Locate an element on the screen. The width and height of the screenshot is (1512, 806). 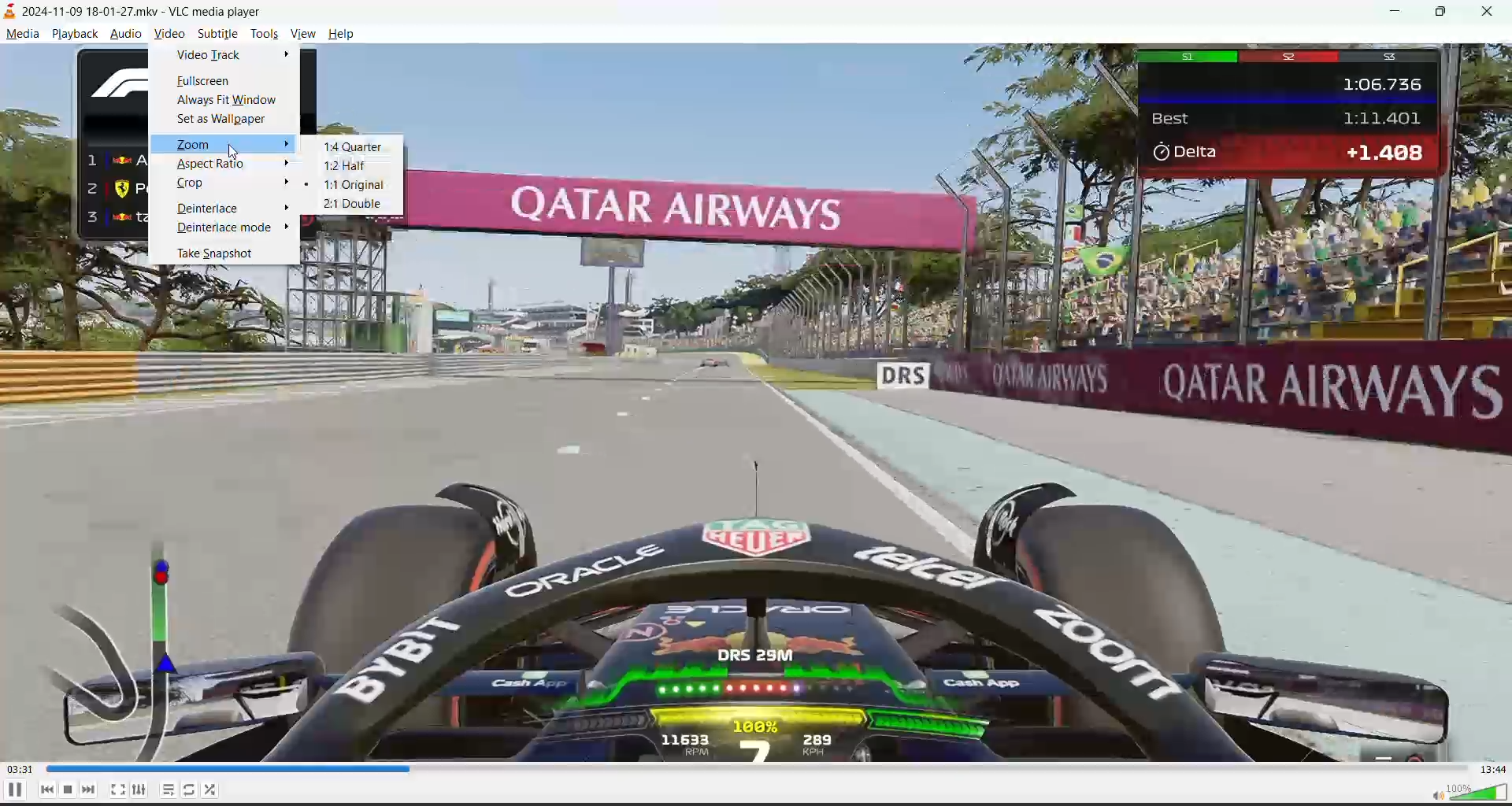
2:1 double is located at coordinates (355, 204).